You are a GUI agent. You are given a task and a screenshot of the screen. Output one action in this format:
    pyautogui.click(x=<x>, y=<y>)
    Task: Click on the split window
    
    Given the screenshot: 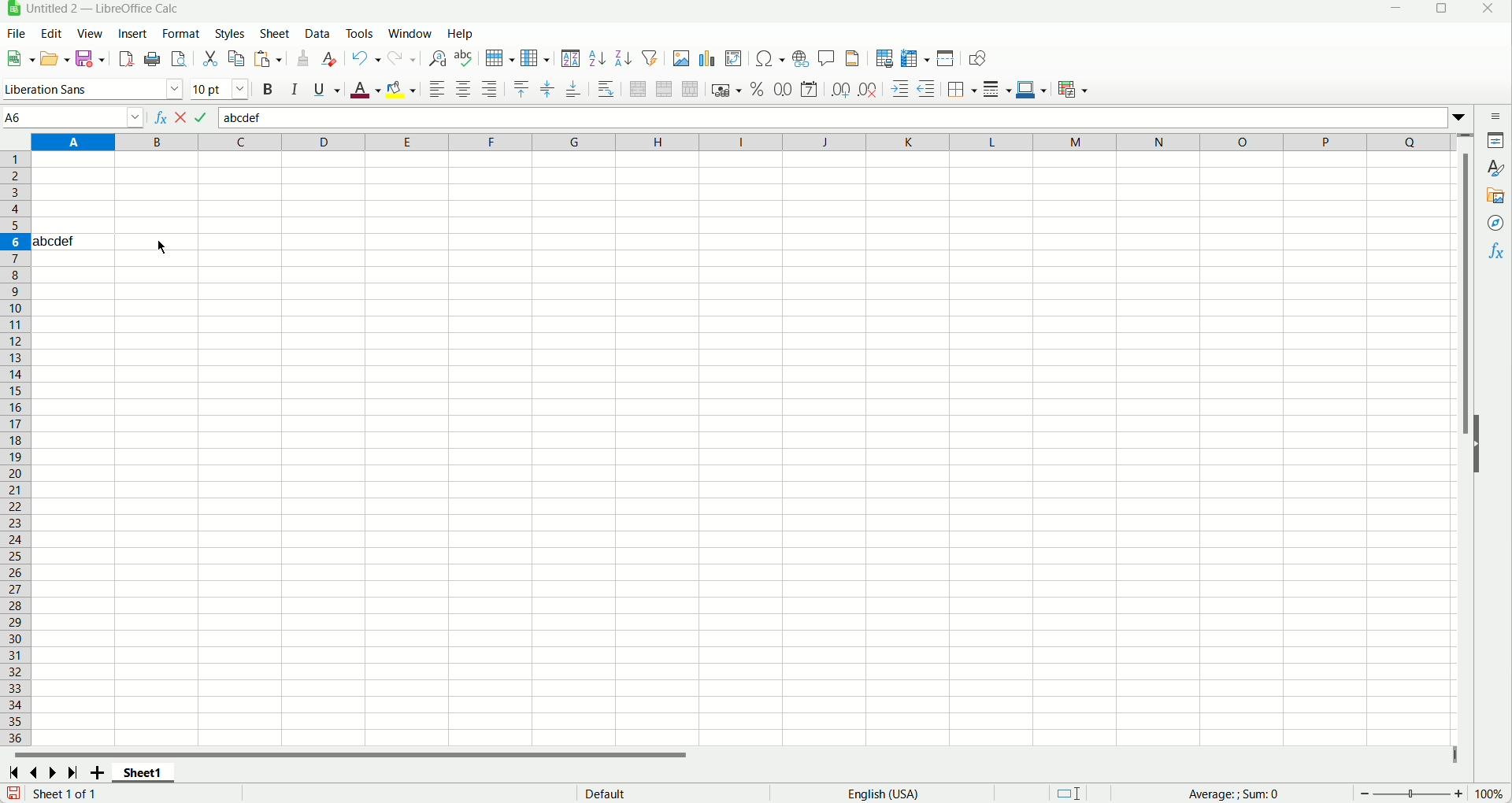 What is the action you would take?
    pyautogui.click(x=947, y=57)
    